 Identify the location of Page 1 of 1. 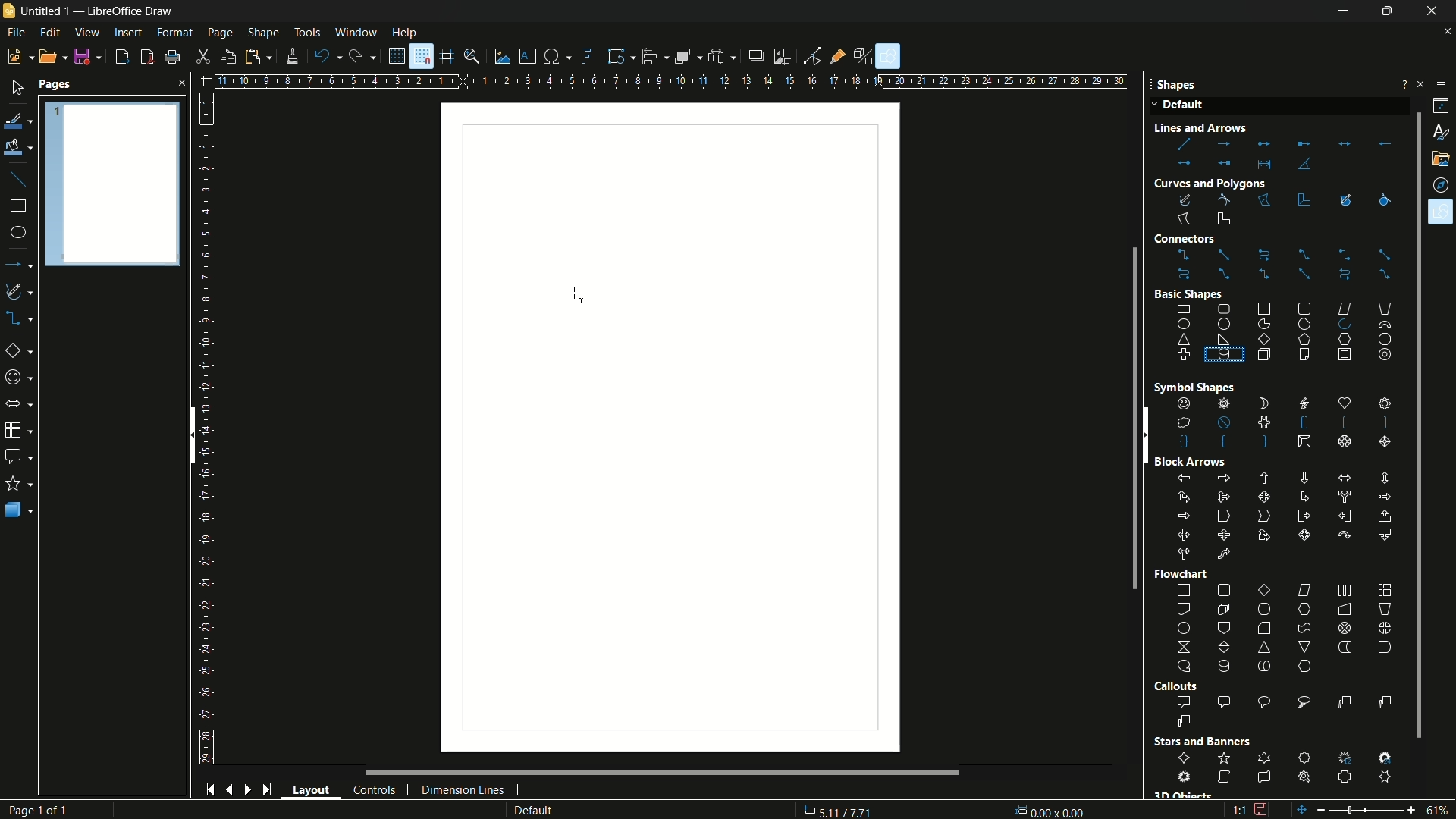
(45, 810).